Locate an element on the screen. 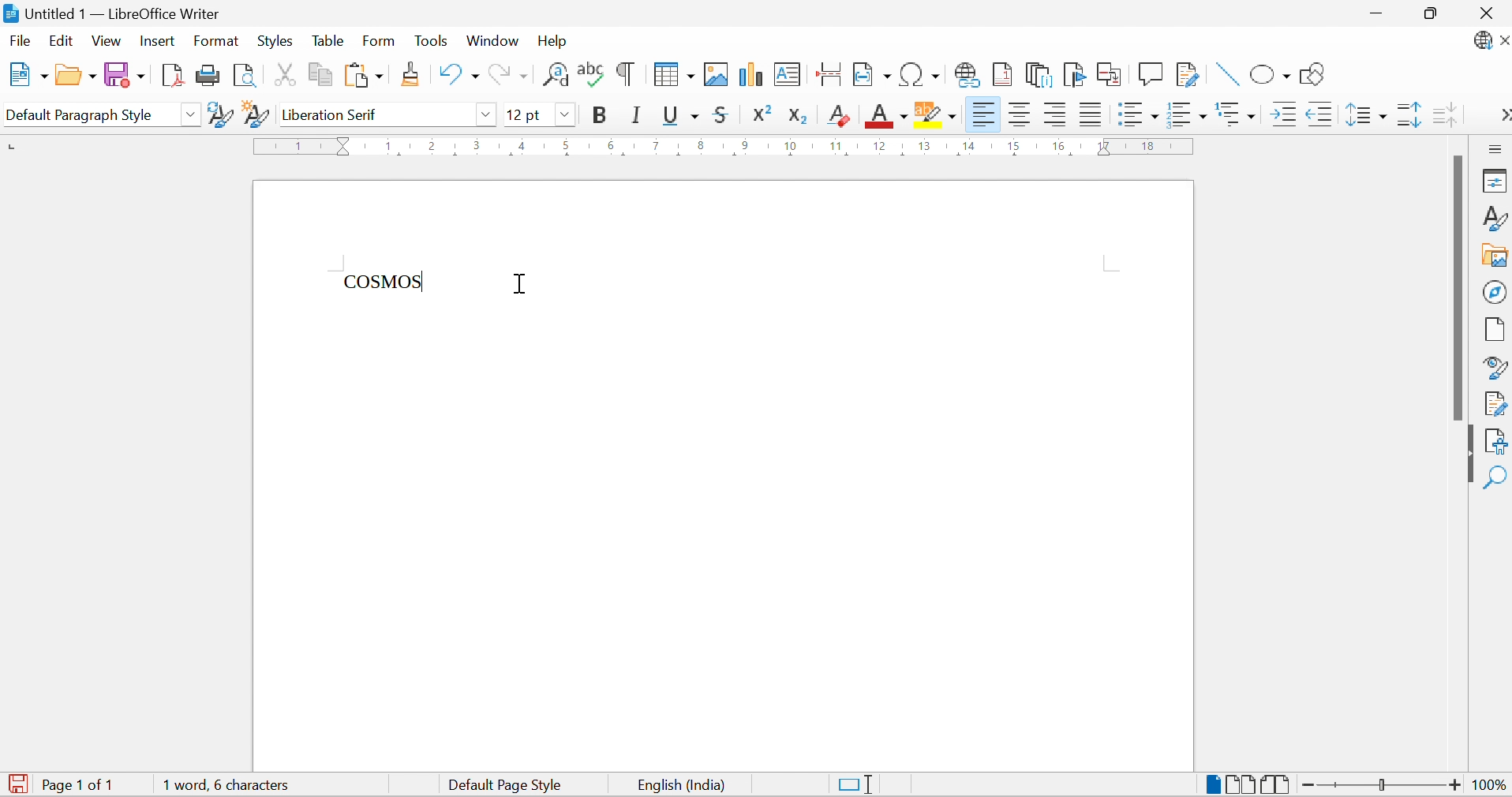 This screenshot has width=1512, height=797. Find is located at coordinates (1497, 475).